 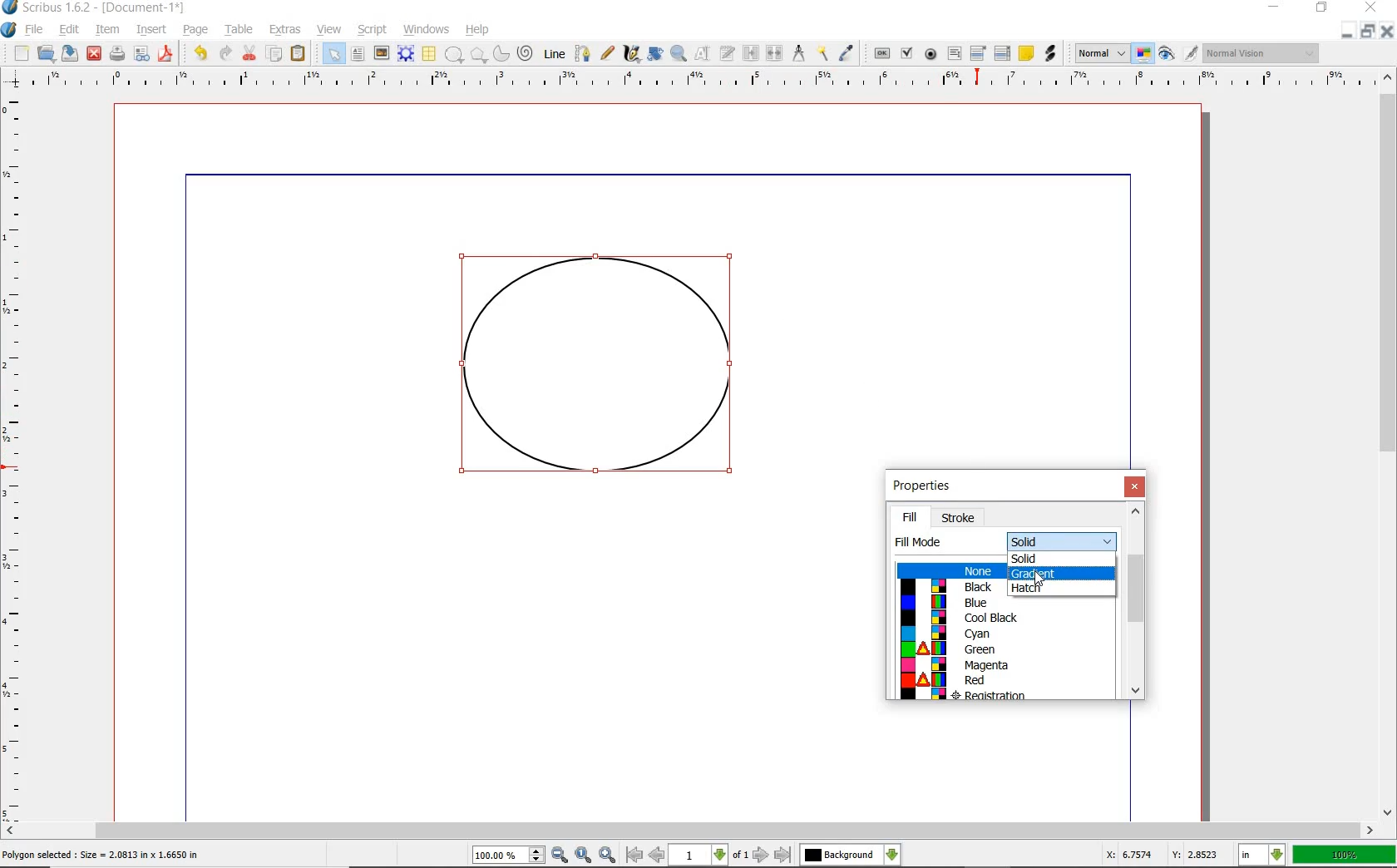 I want to click on coordinates, so click(x=1160, y=855).